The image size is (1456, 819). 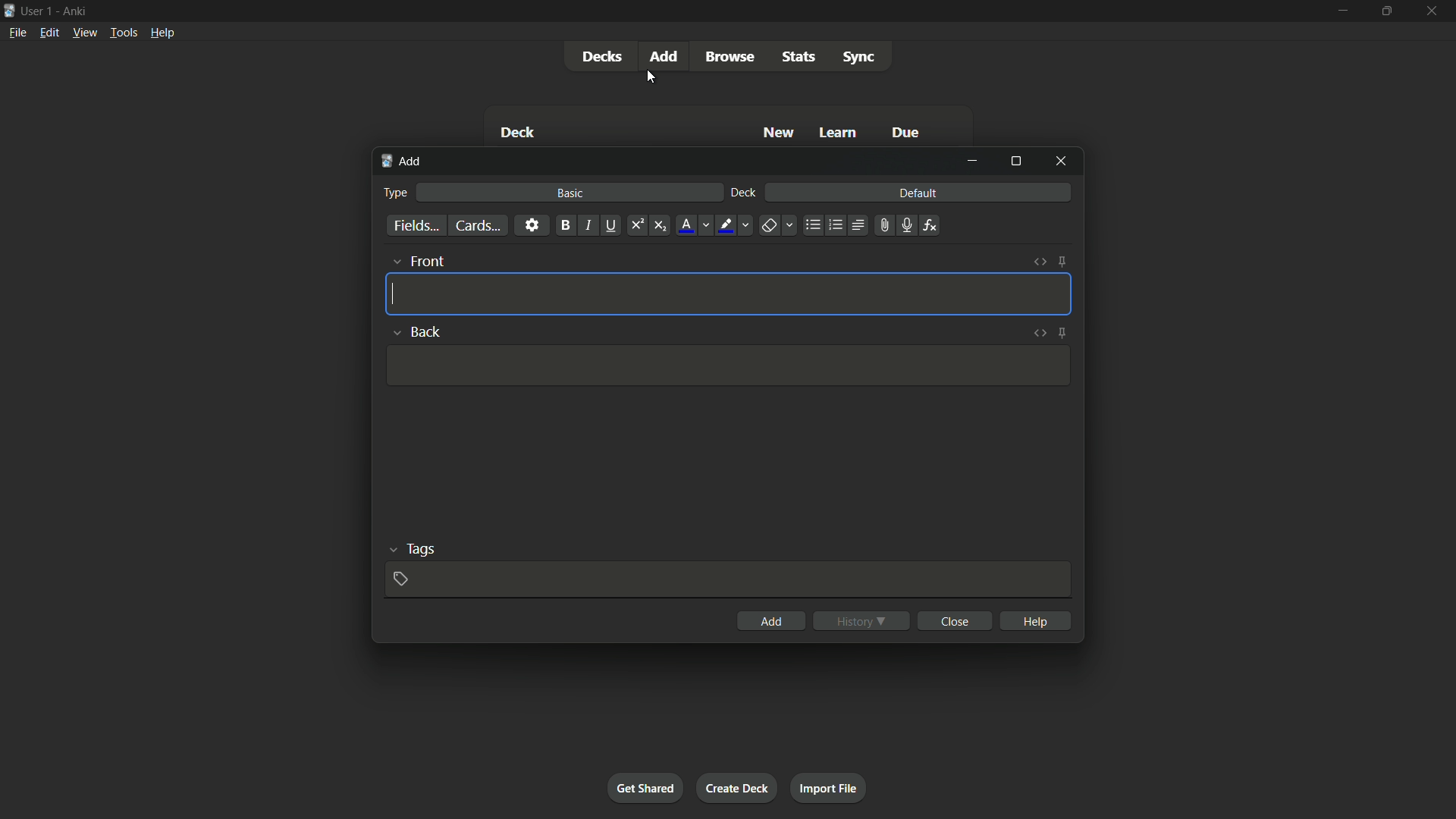 What do you see at coordinates (123, 32) in the screenshot?
I see `tools menu` at bounding box center [123, 32].